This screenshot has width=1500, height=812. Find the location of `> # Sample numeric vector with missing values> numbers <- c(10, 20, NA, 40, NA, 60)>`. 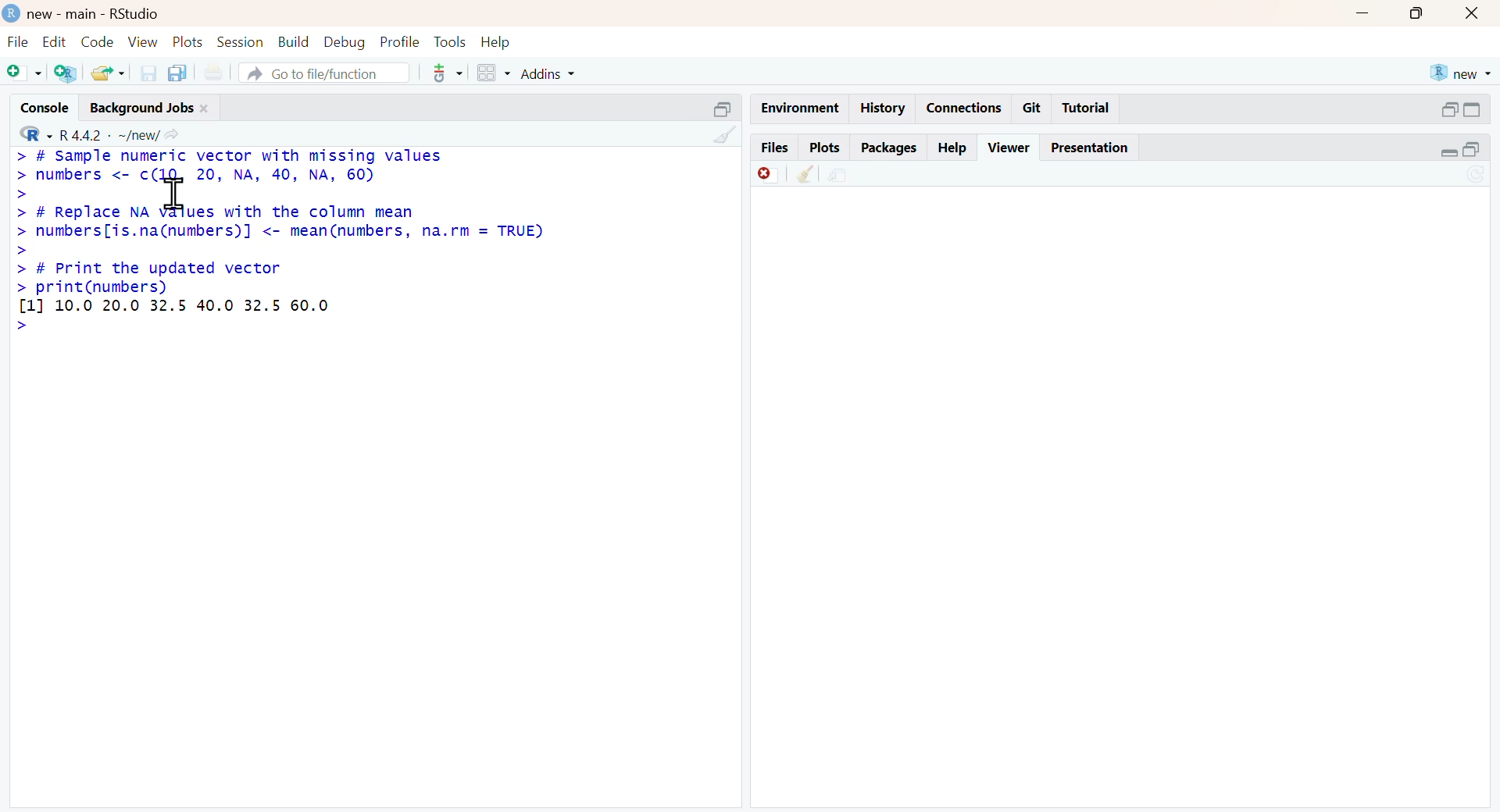

> # Sample numeric vector with missing values> numbers <- c(10, 20, NA, 40, NA, 60)> is located at coordinates (229, 175).